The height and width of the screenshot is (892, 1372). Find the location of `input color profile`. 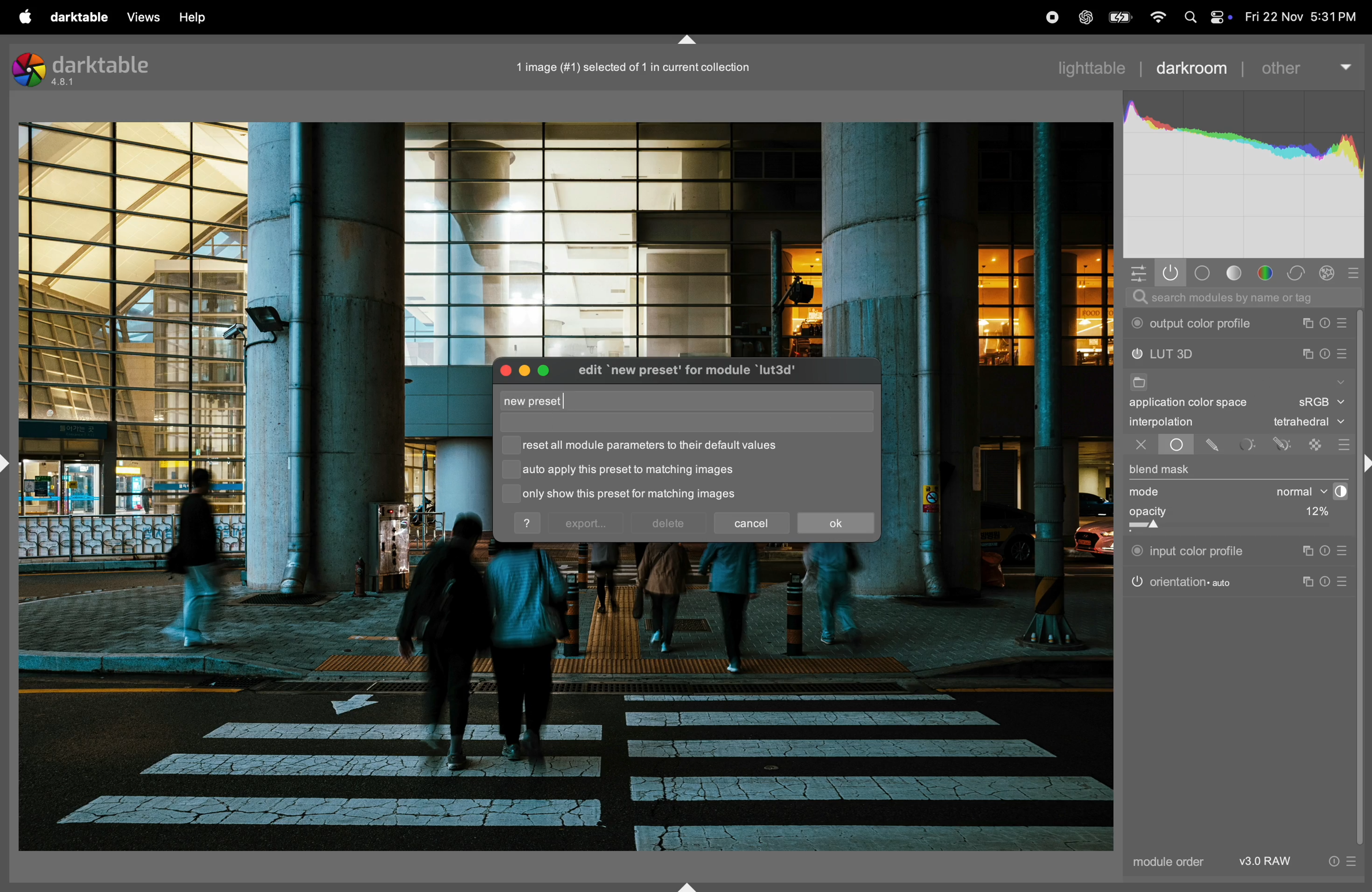

input color profile is located at coordinates (1189, 549).